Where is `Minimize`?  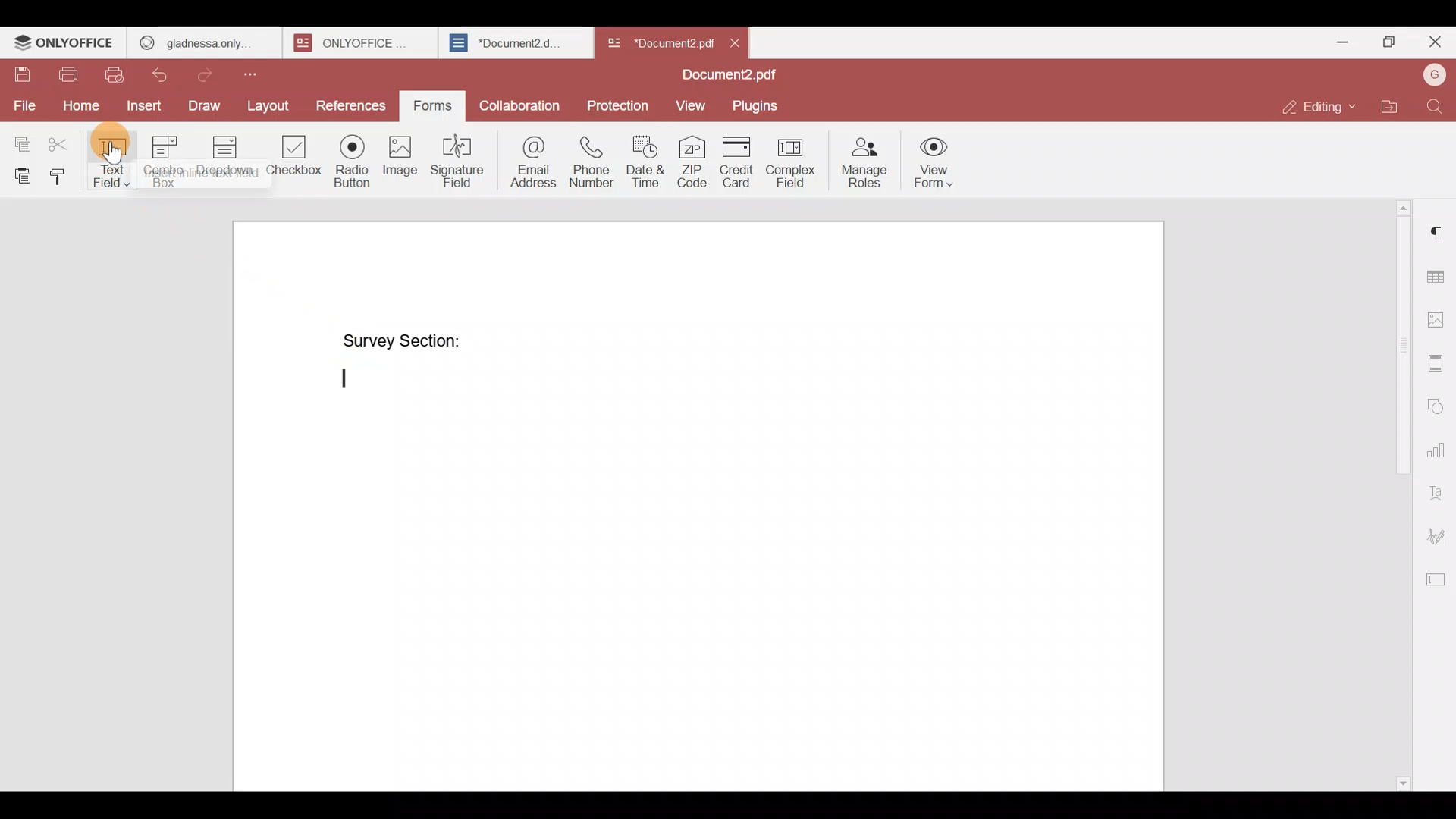
Minimize is located at coordinates (1348, 42).